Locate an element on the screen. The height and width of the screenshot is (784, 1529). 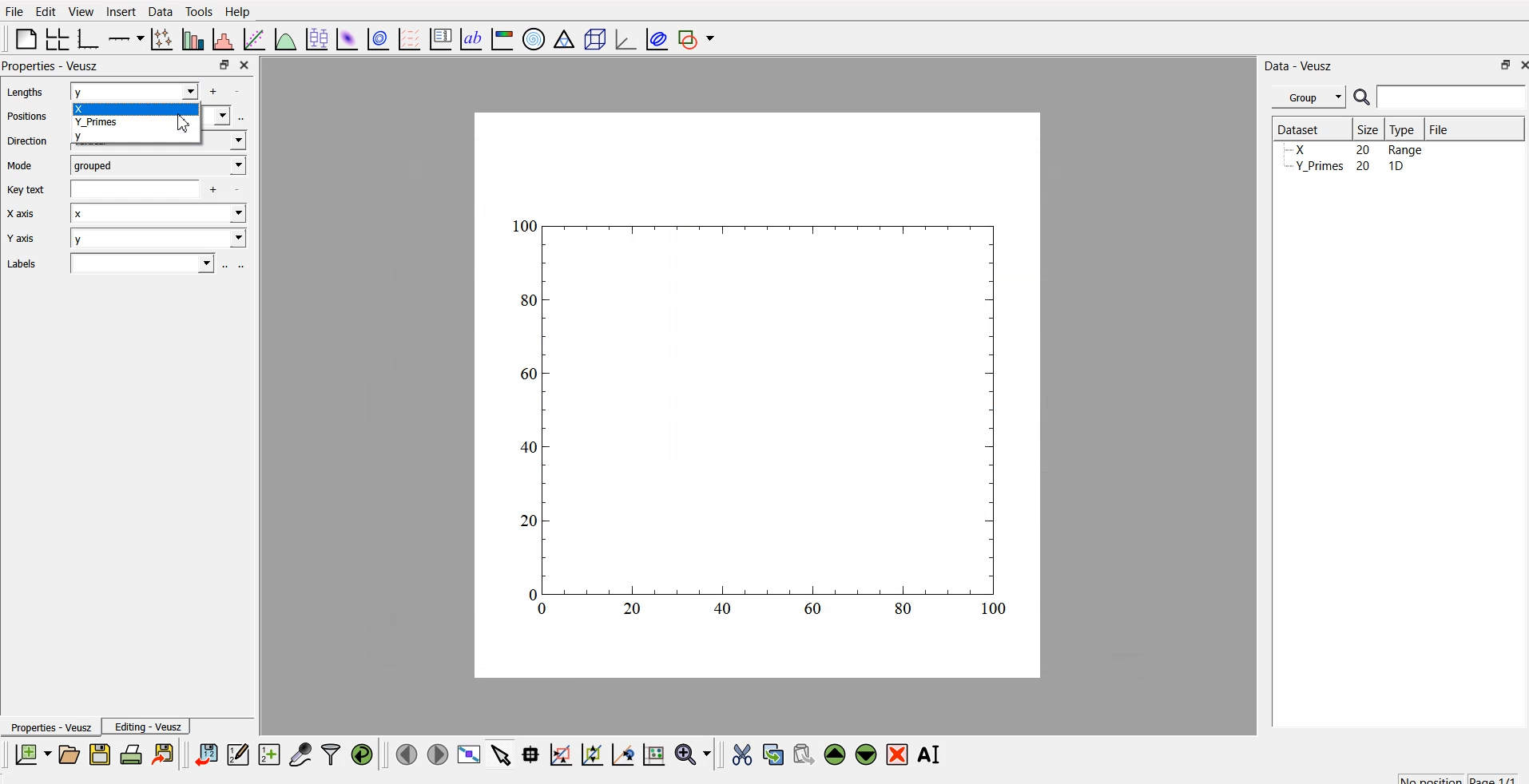
paste the widget from the clipboard is located at coordinates (804, 754).